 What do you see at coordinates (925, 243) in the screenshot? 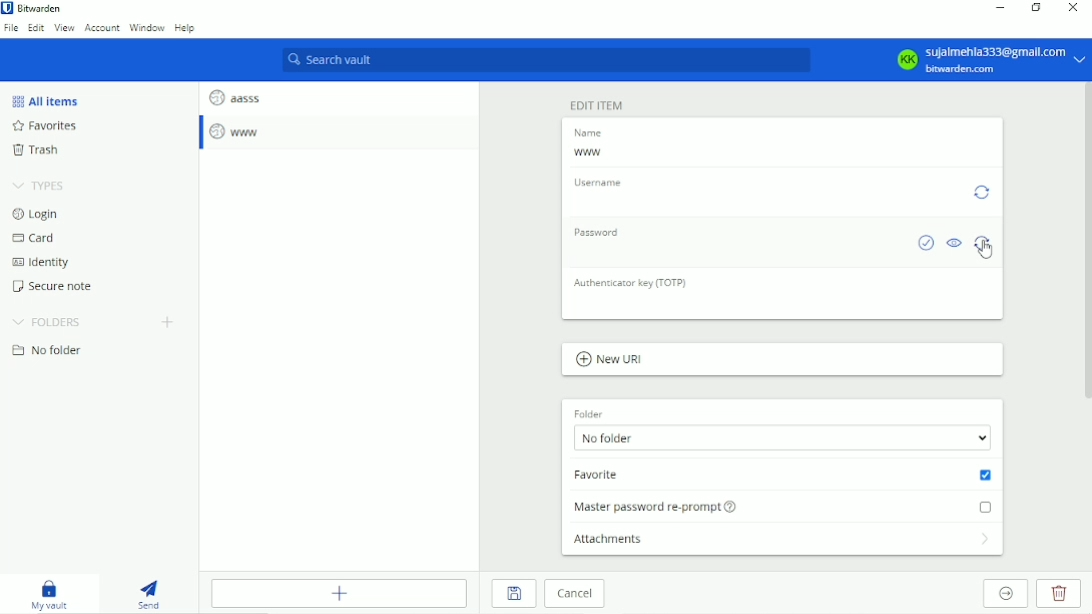
I see `Check if password has been exposed` at bounding box center [925, 243].